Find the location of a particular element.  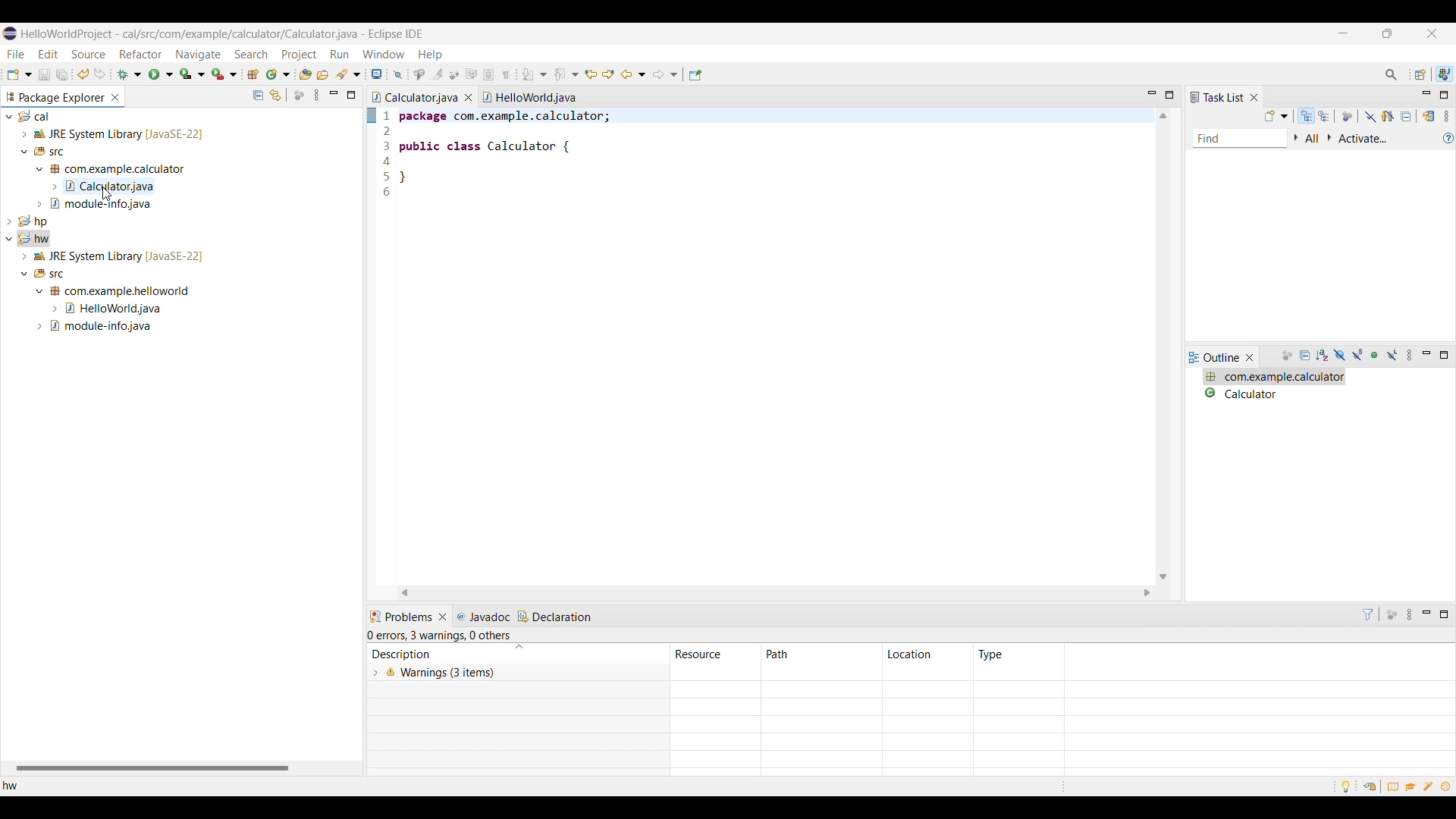

Scheduled is located at coordinates (1325, 116).